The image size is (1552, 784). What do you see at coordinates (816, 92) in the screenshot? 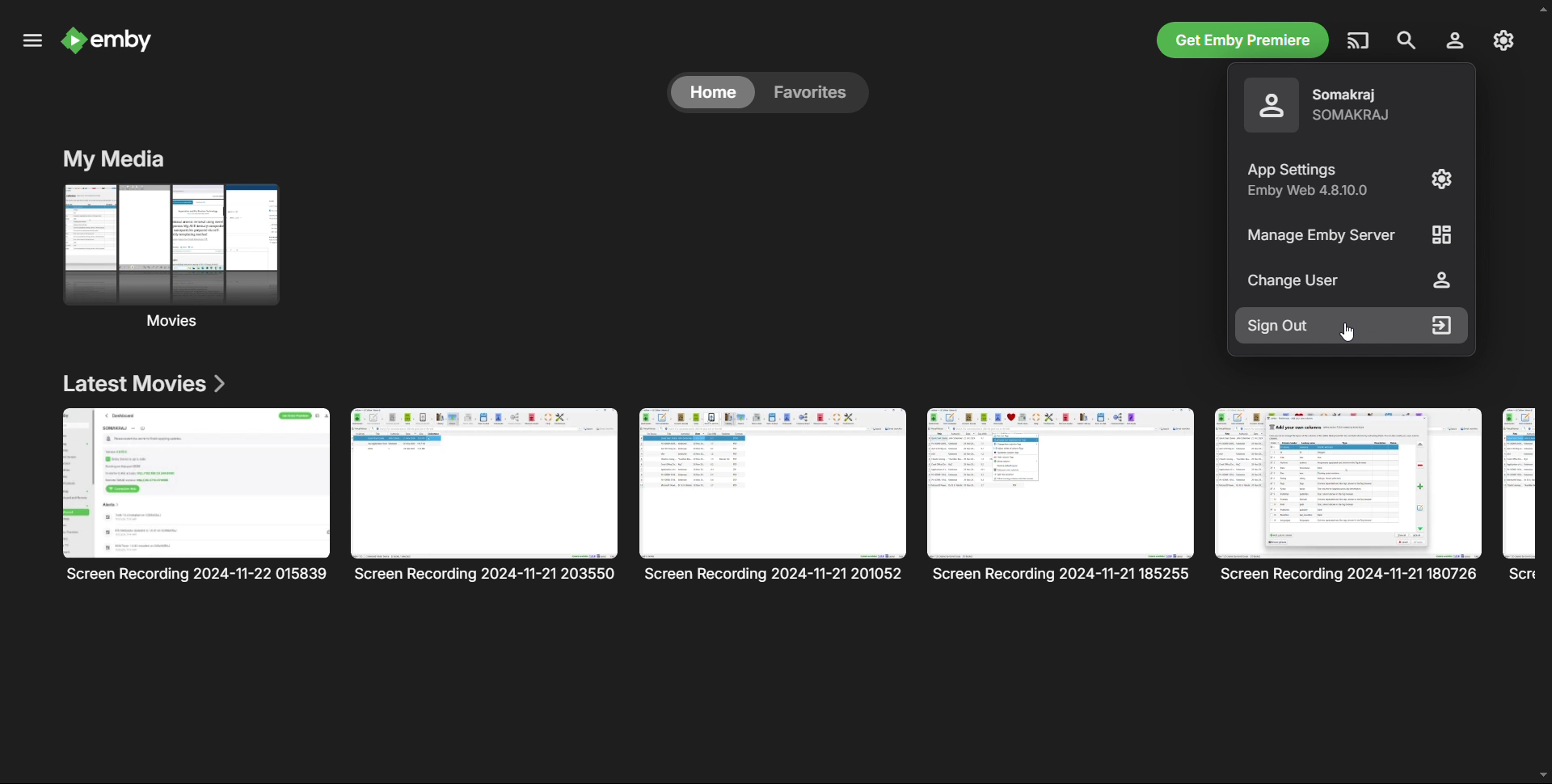
I see `favorites` at bounding box center [816, 92].